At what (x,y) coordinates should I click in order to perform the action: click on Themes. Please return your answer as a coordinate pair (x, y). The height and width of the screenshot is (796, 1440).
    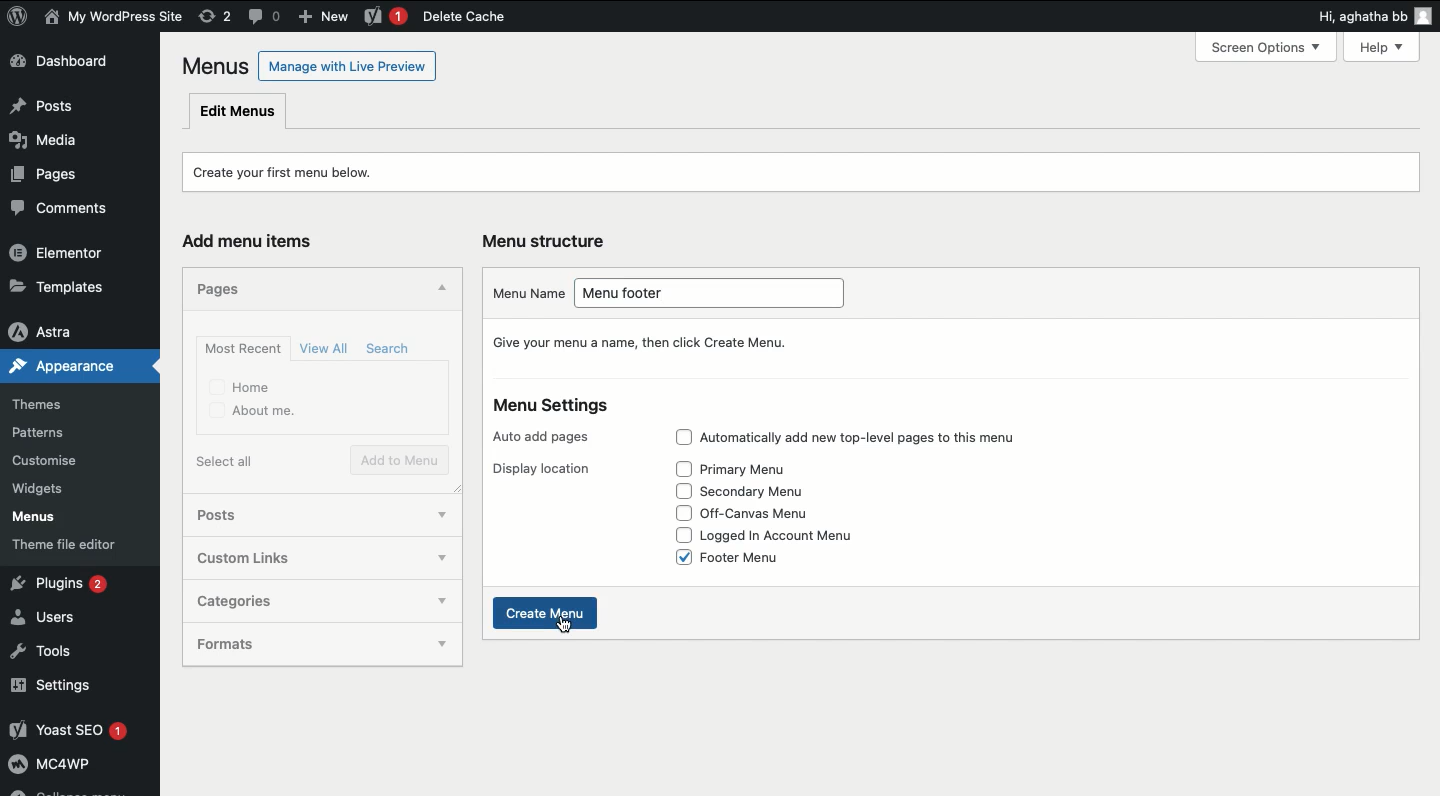
    Looking at the image, I should click on (50, 401).